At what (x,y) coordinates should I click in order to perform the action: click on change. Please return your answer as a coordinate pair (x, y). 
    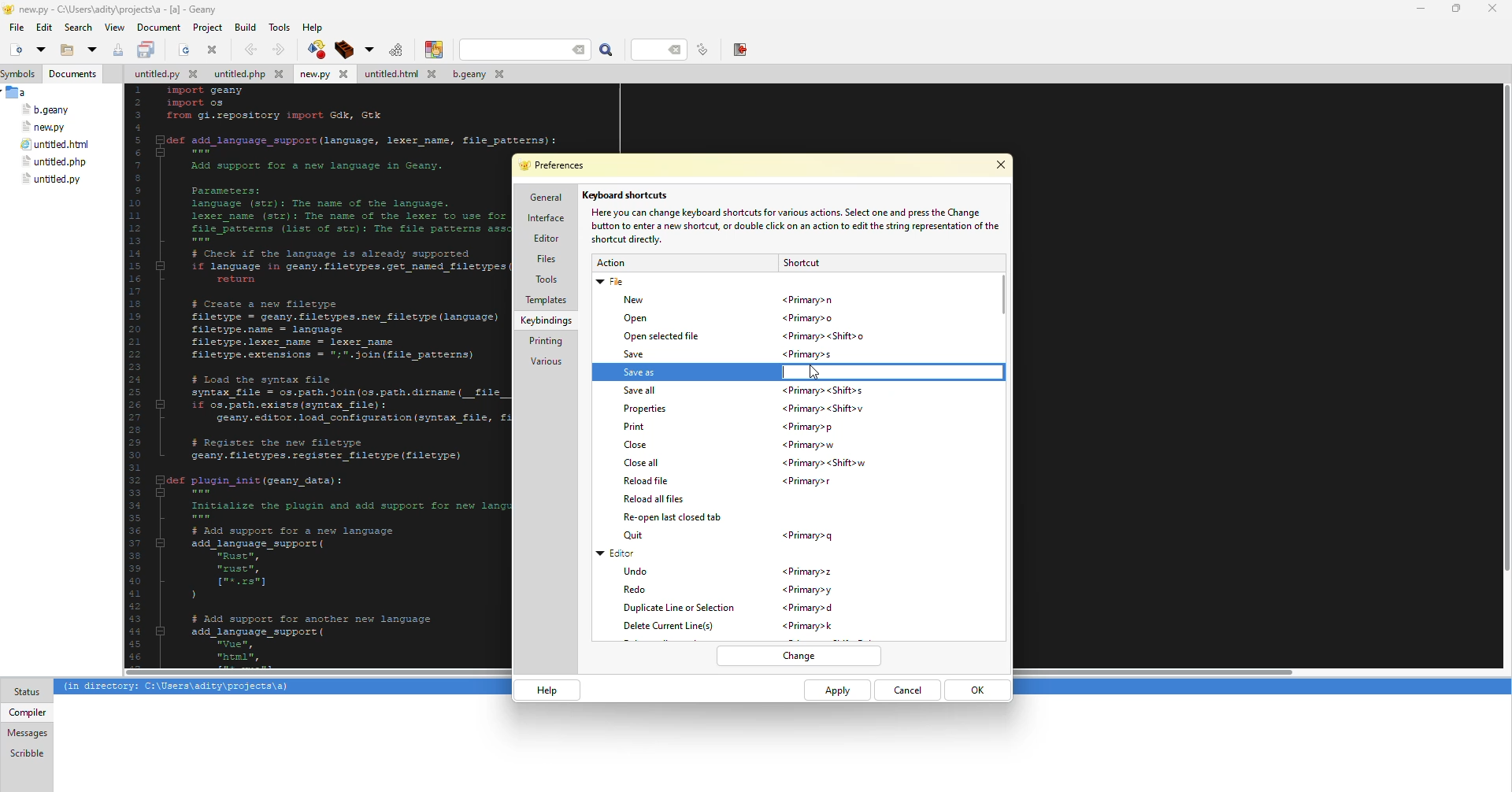
    Looking at the image, I should click on (799, 657).